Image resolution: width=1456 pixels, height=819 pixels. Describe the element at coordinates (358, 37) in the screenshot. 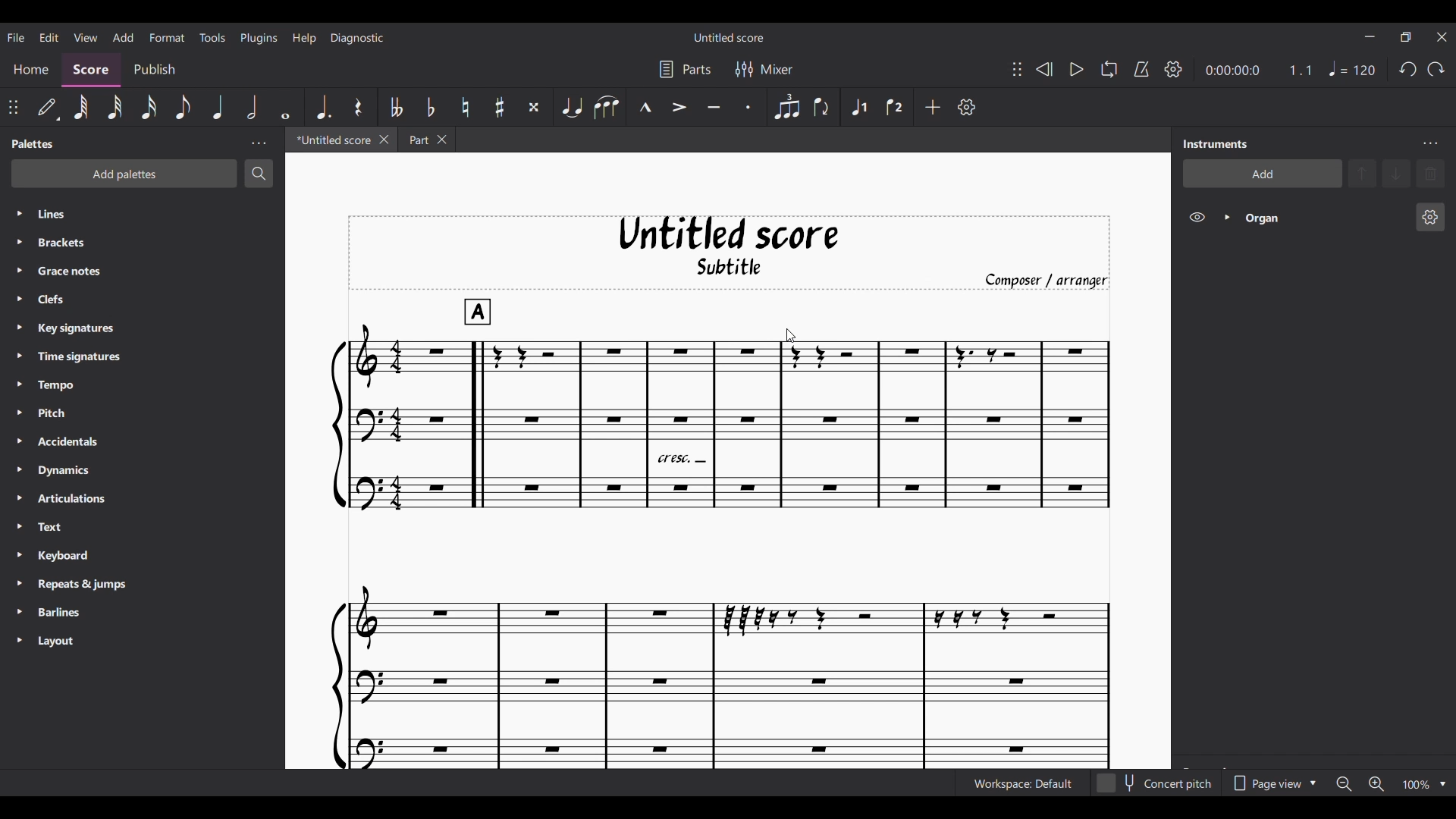

I see `Diagnostic menu` at that location.